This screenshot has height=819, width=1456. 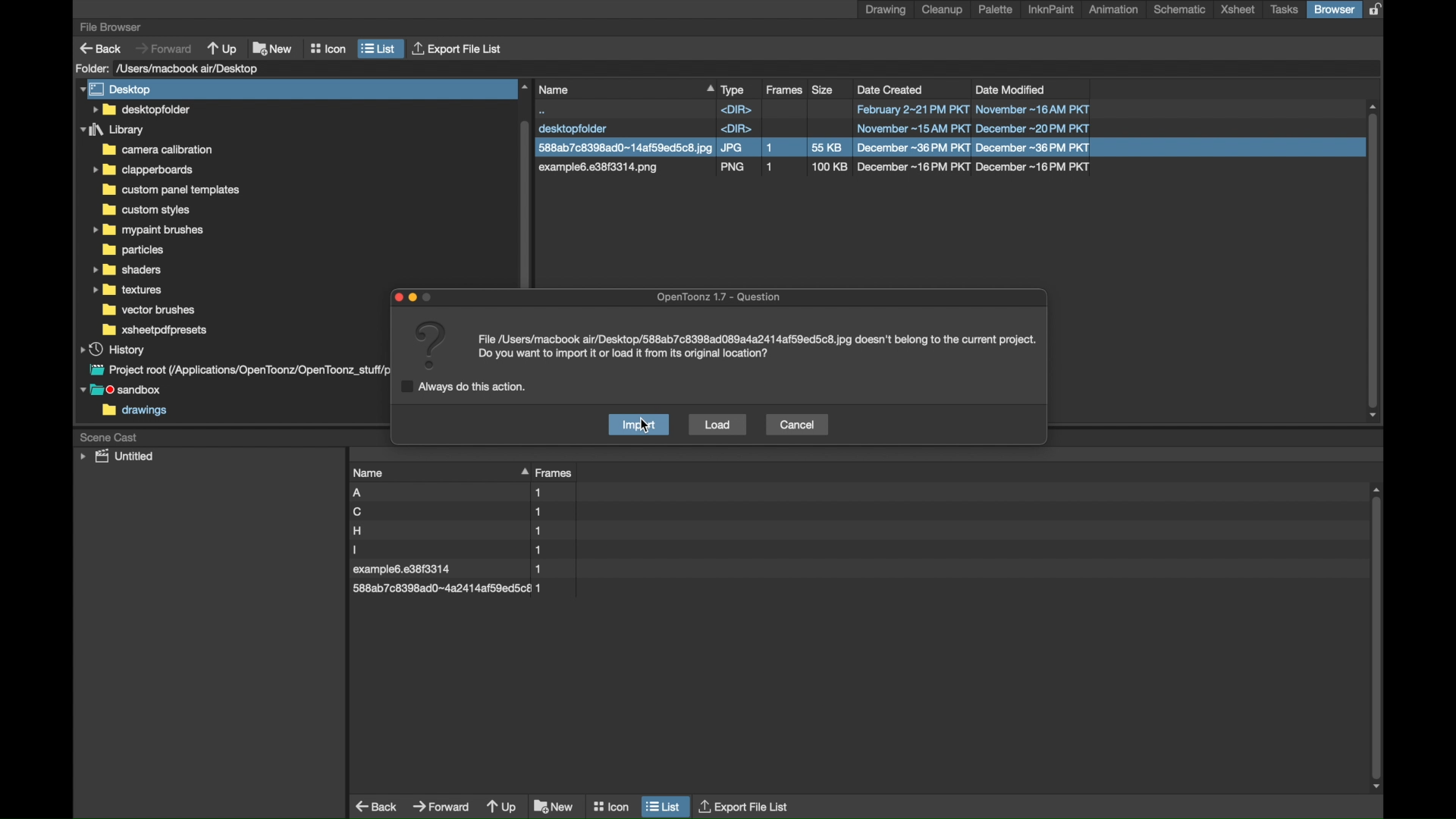 I want to click on file, so click(x=449, y=512).